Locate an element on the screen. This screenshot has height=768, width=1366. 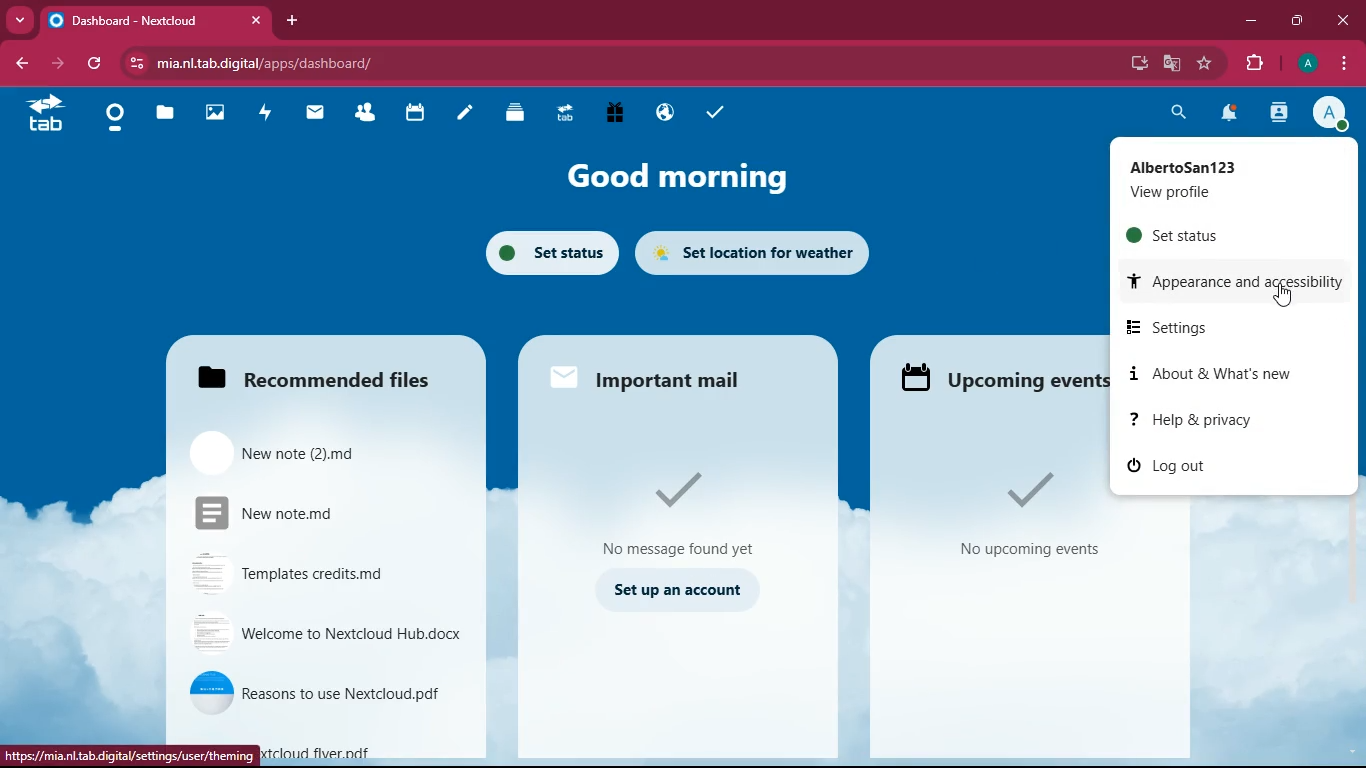
new note.md is located at coordinates (322, 512).